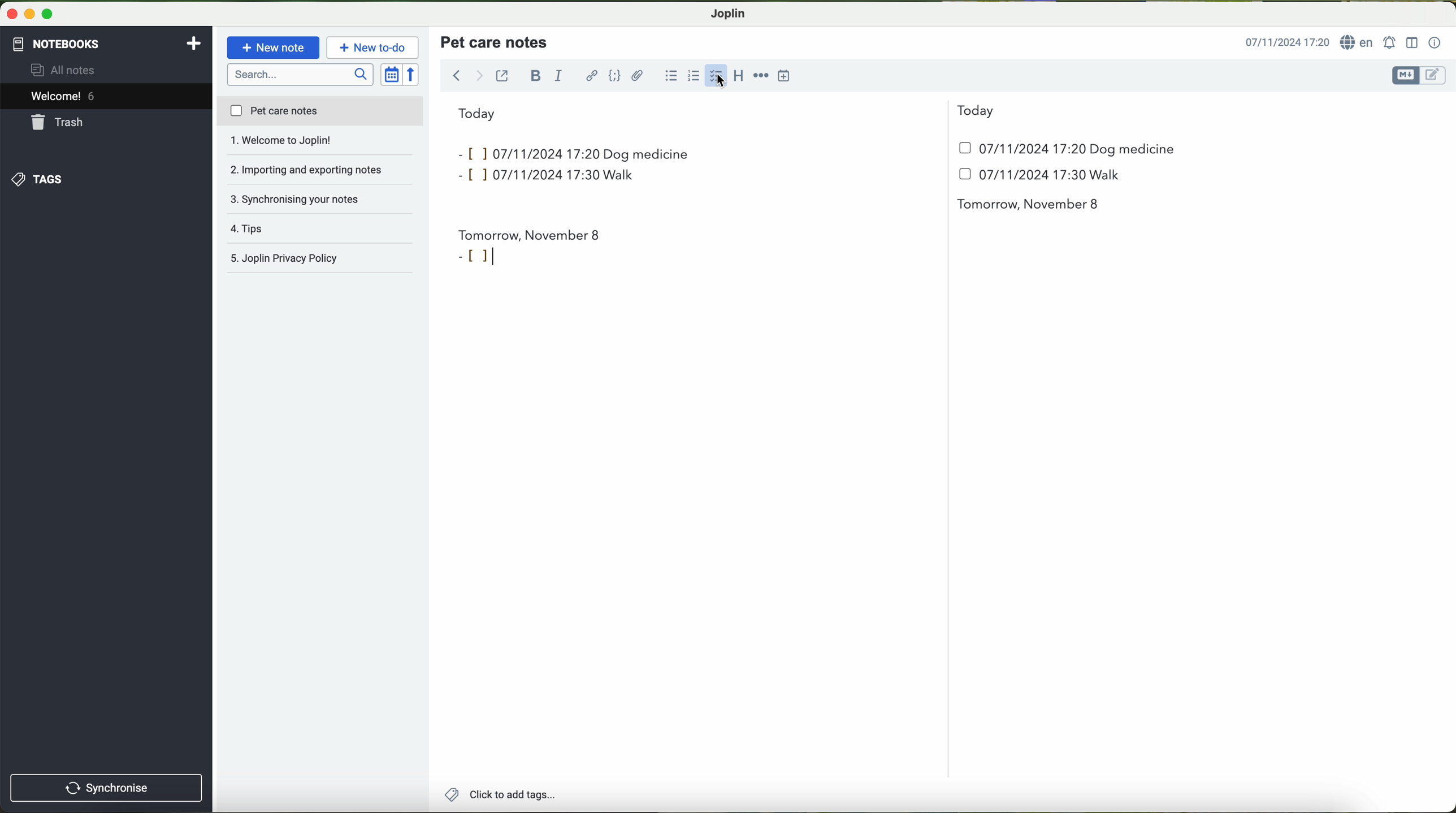  What do you see at coordinates (536, 75) in the screenshot?
I see `bold` at bounding box center [536, 75].